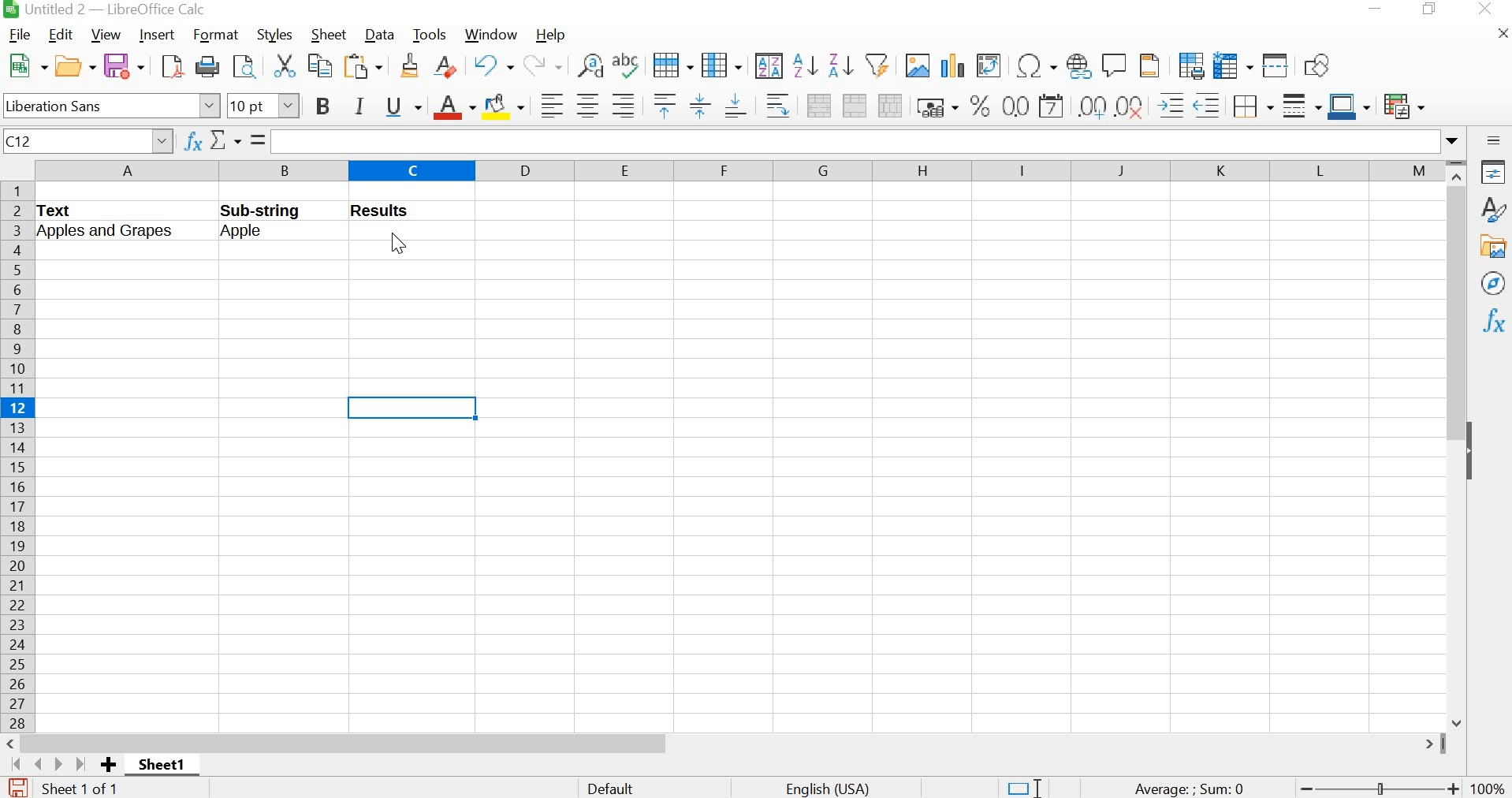  I want to click on Apple, so click(259, 233).